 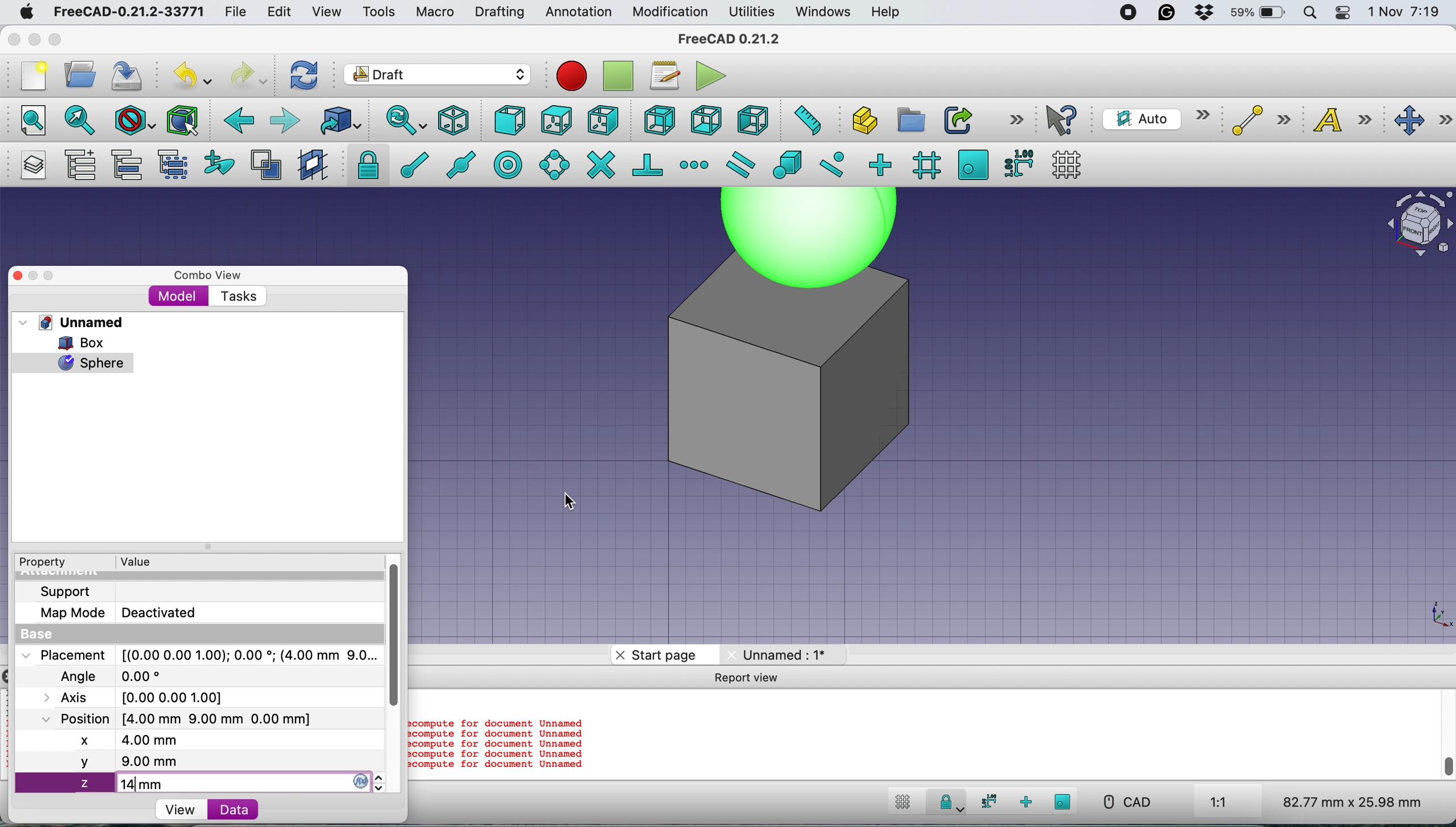 What do you see at coordinates (1349, 801) in the screenshot?
I see `dimensions` at bounding box center [1349, 801].